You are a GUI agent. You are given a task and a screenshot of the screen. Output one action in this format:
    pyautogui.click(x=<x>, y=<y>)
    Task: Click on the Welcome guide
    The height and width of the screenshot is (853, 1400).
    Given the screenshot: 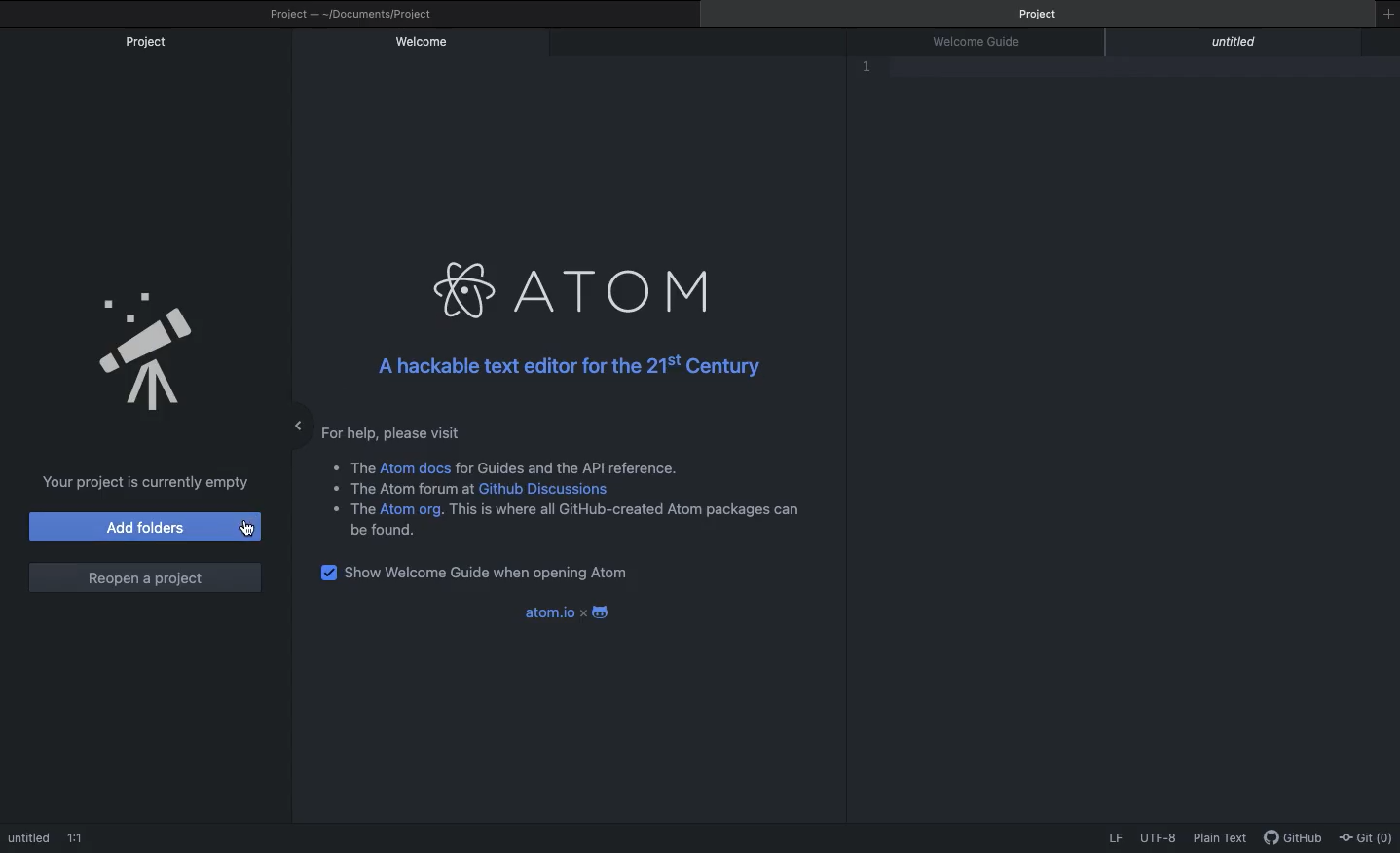 What is the action you would take?
    pyautogui.click(x=986, y=43)
    